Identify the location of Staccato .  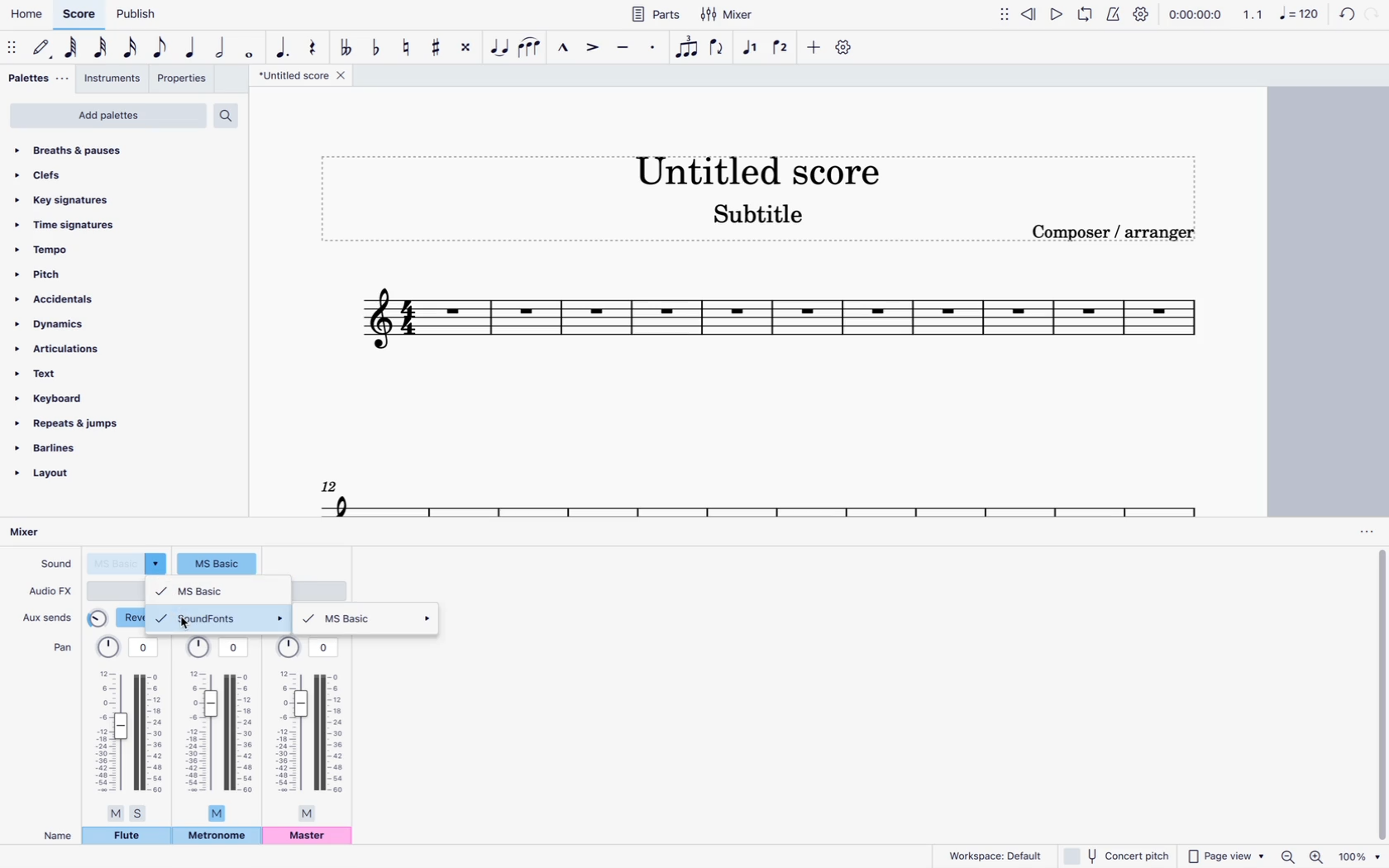
(655, 45).